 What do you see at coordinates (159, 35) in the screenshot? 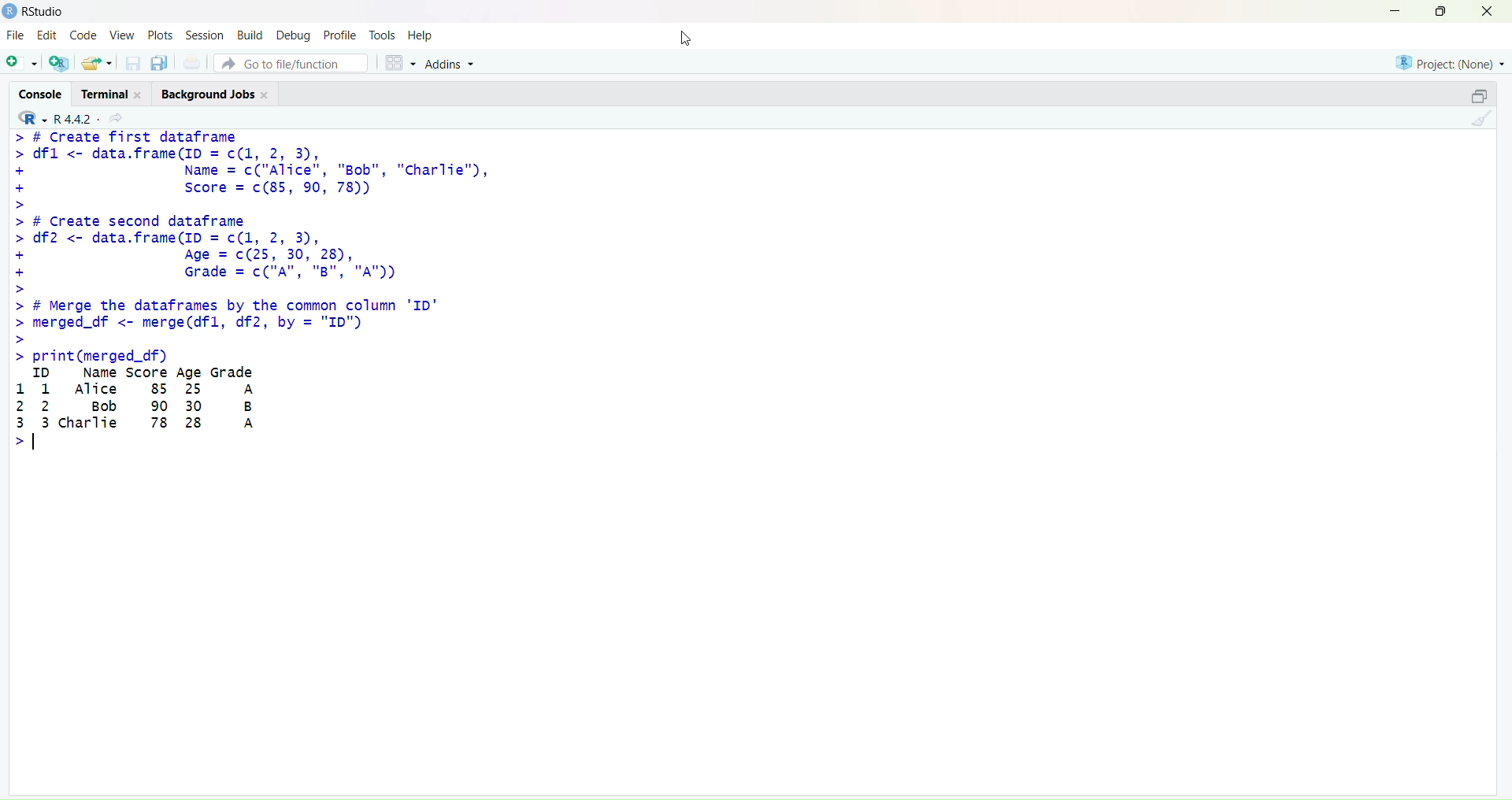
I see `Plots` at bounding box center [159, 35].